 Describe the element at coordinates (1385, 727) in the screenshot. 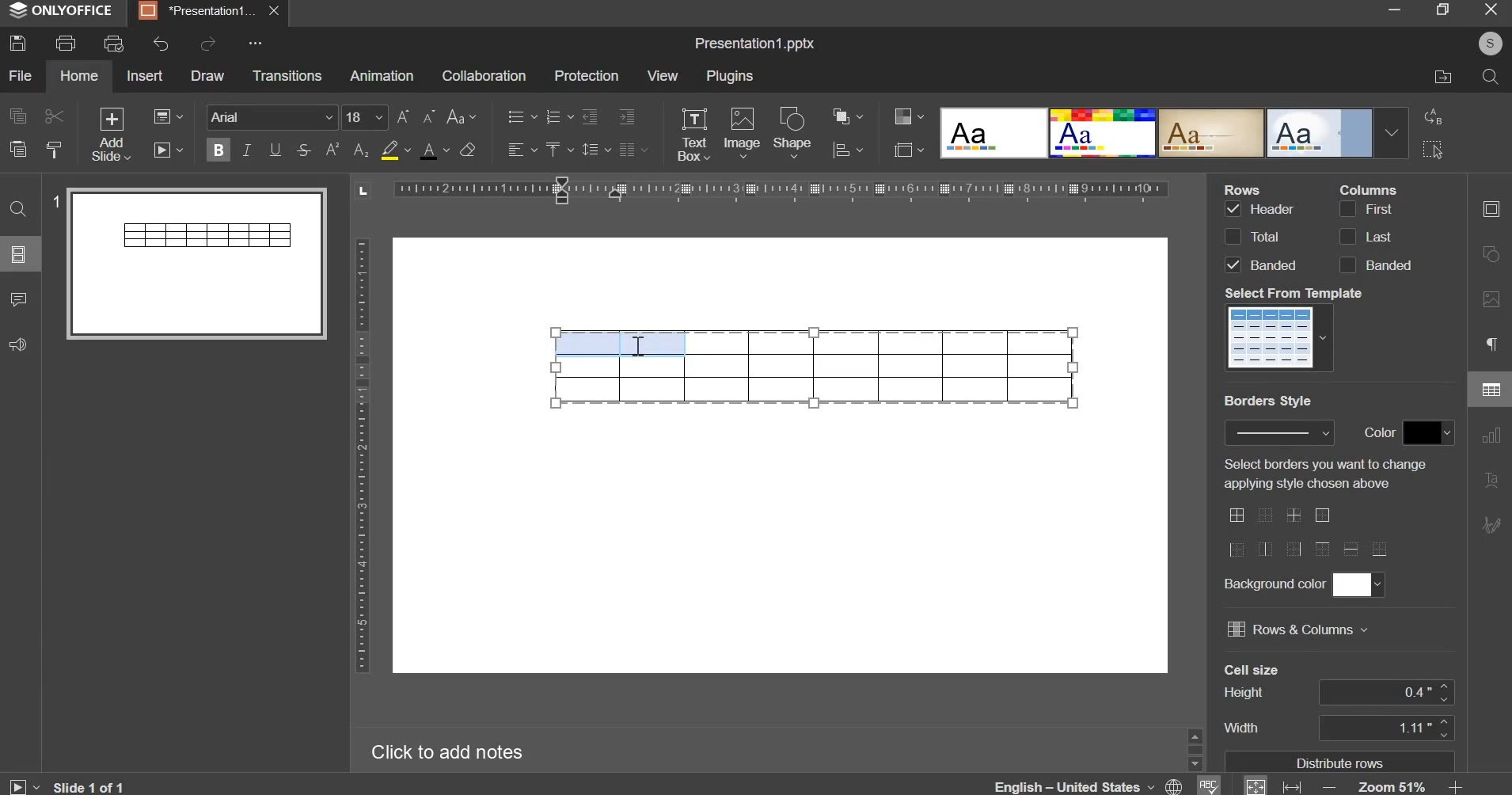

I see `cell width` at that location.